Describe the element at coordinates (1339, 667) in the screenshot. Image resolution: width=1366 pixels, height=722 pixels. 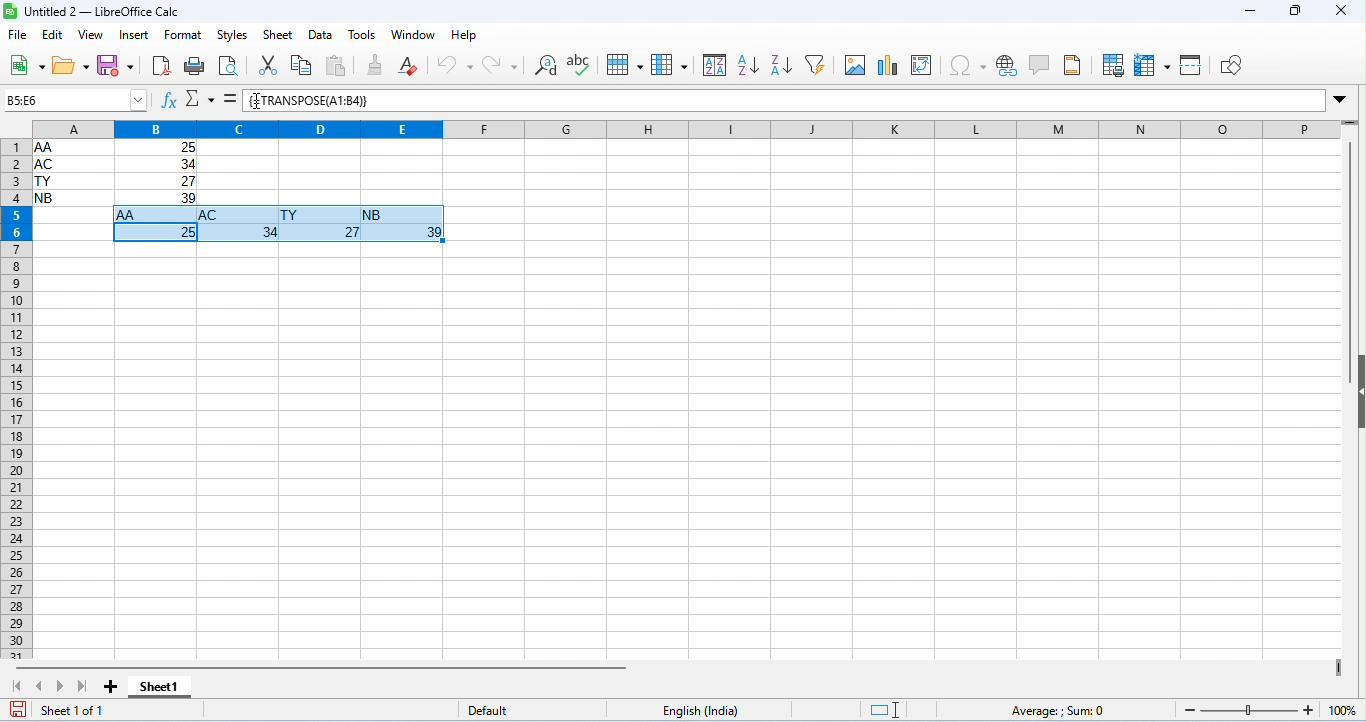
I see `drag to view next columns` at that location.